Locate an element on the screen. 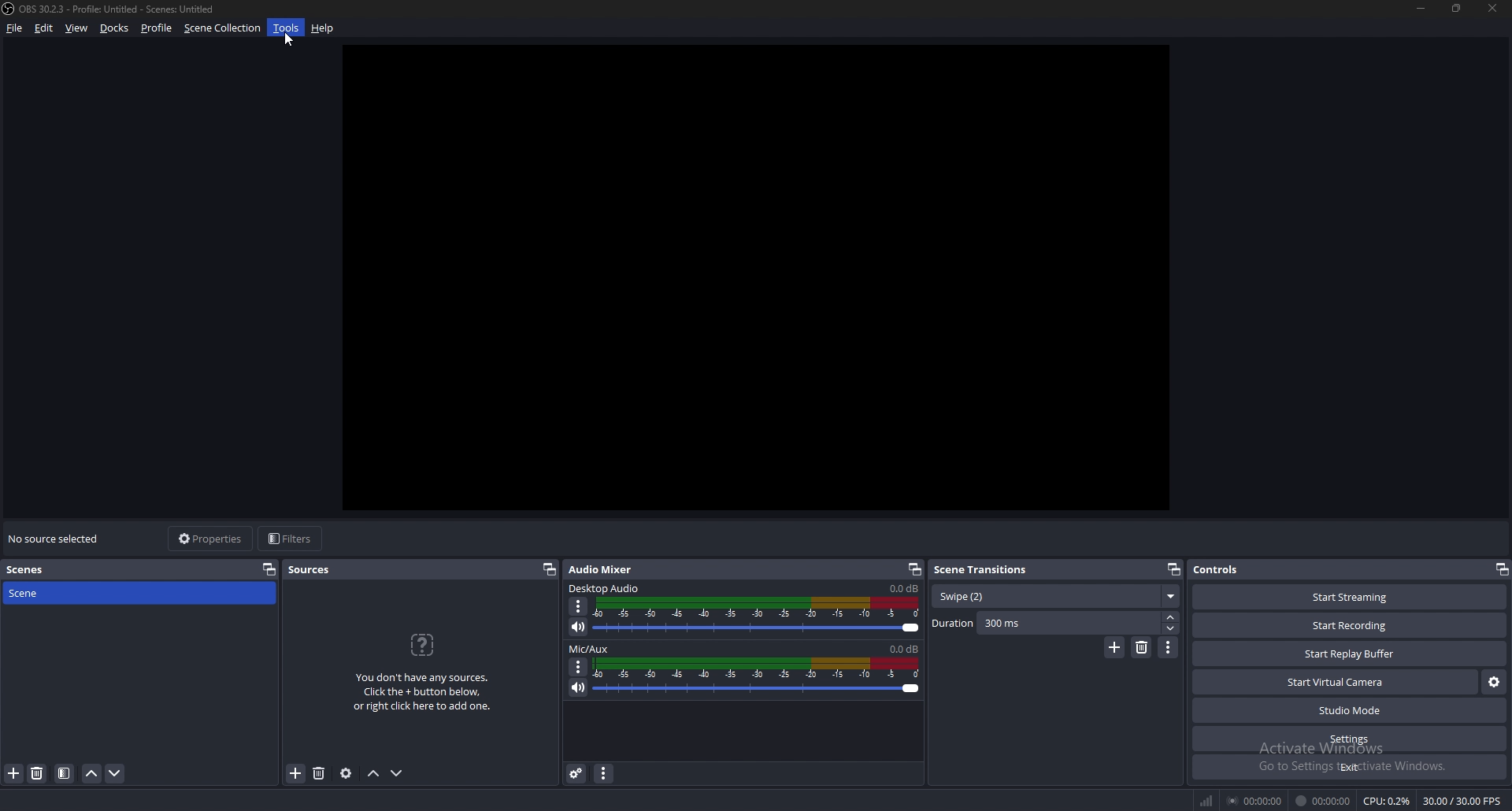 Image resolution: width=1512 pixels, height=811 pixels. stream duration is located at coordinates (1256, 800).